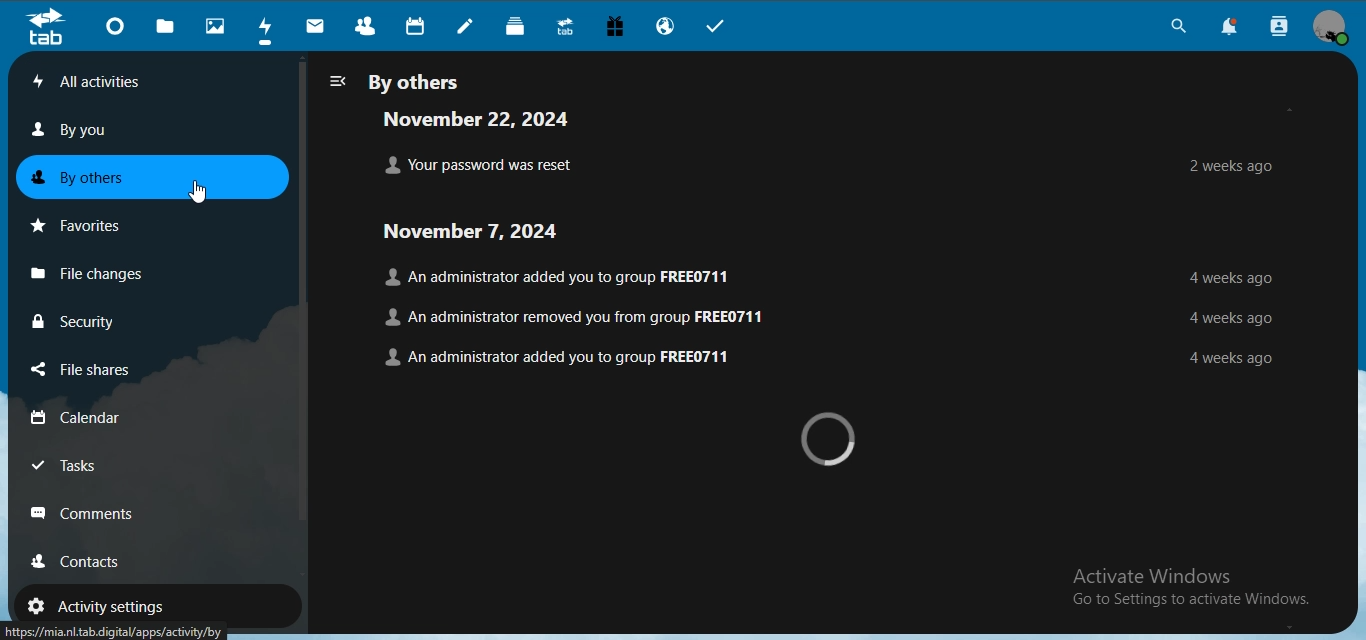  What do you see at coordinates (720, 27) in the screenshot?
I see `tasks` at bounding box center [720, 27].